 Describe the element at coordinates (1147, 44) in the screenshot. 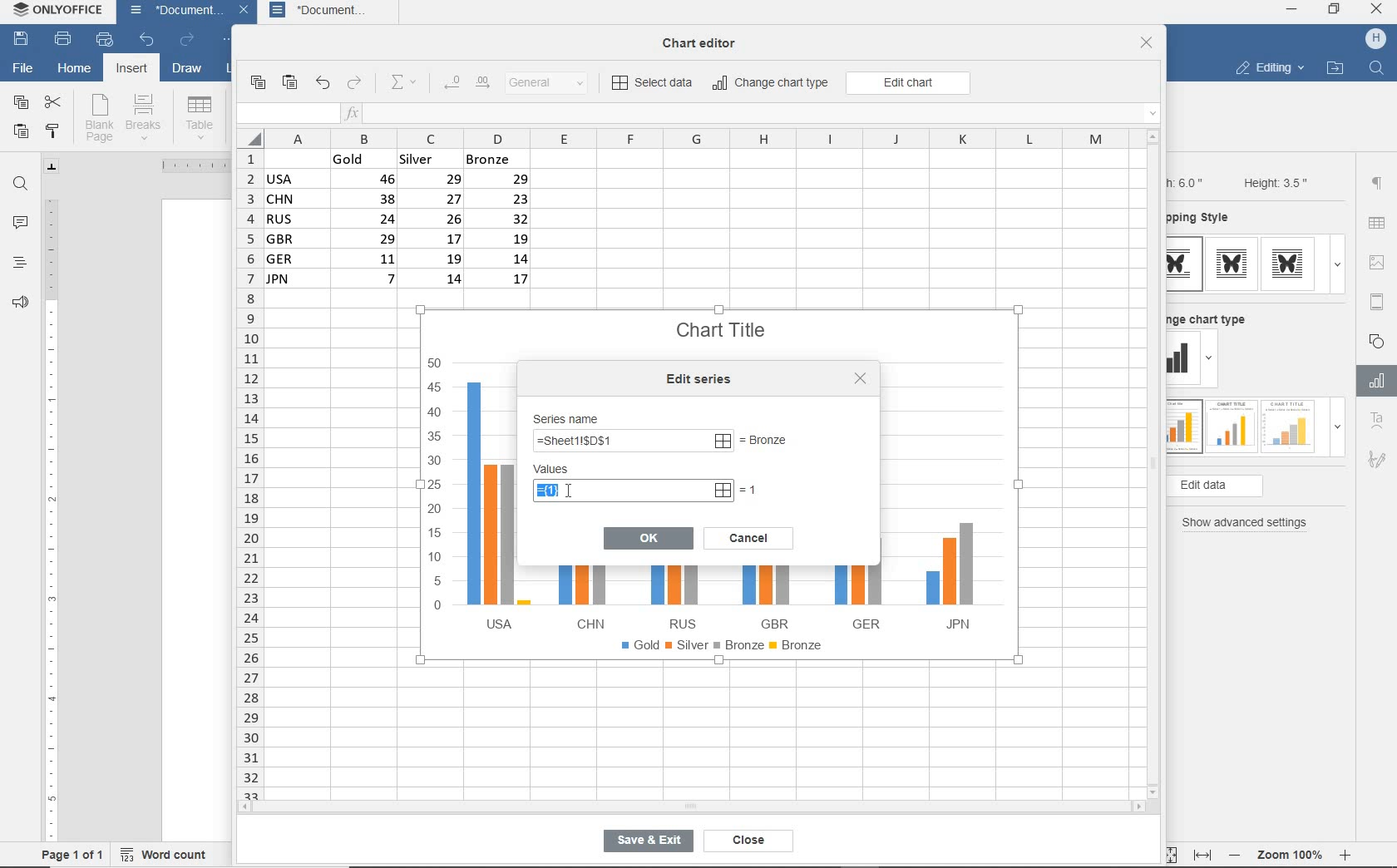

I see `close` at that location.